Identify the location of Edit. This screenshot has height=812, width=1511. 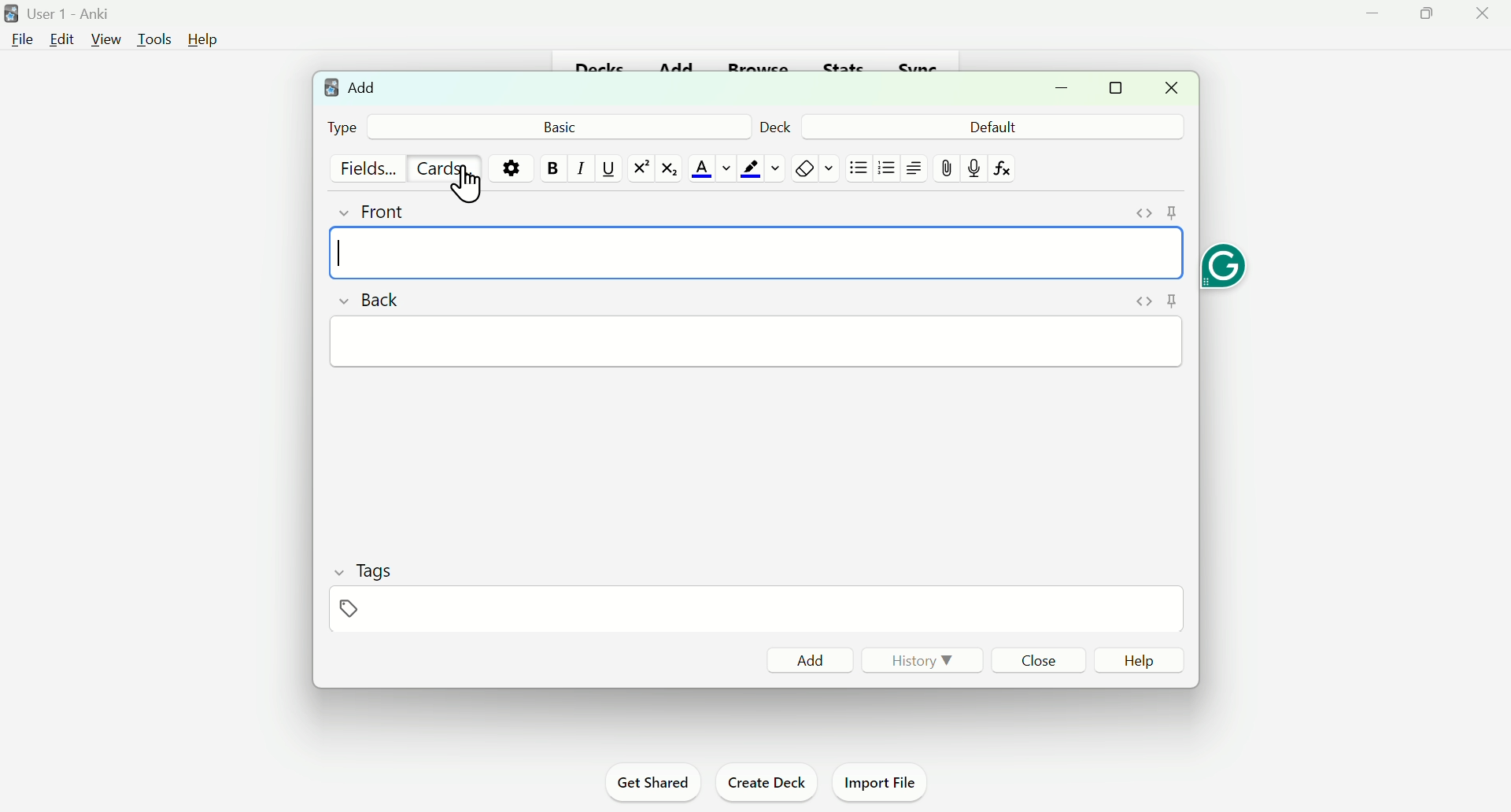
(64, 36).